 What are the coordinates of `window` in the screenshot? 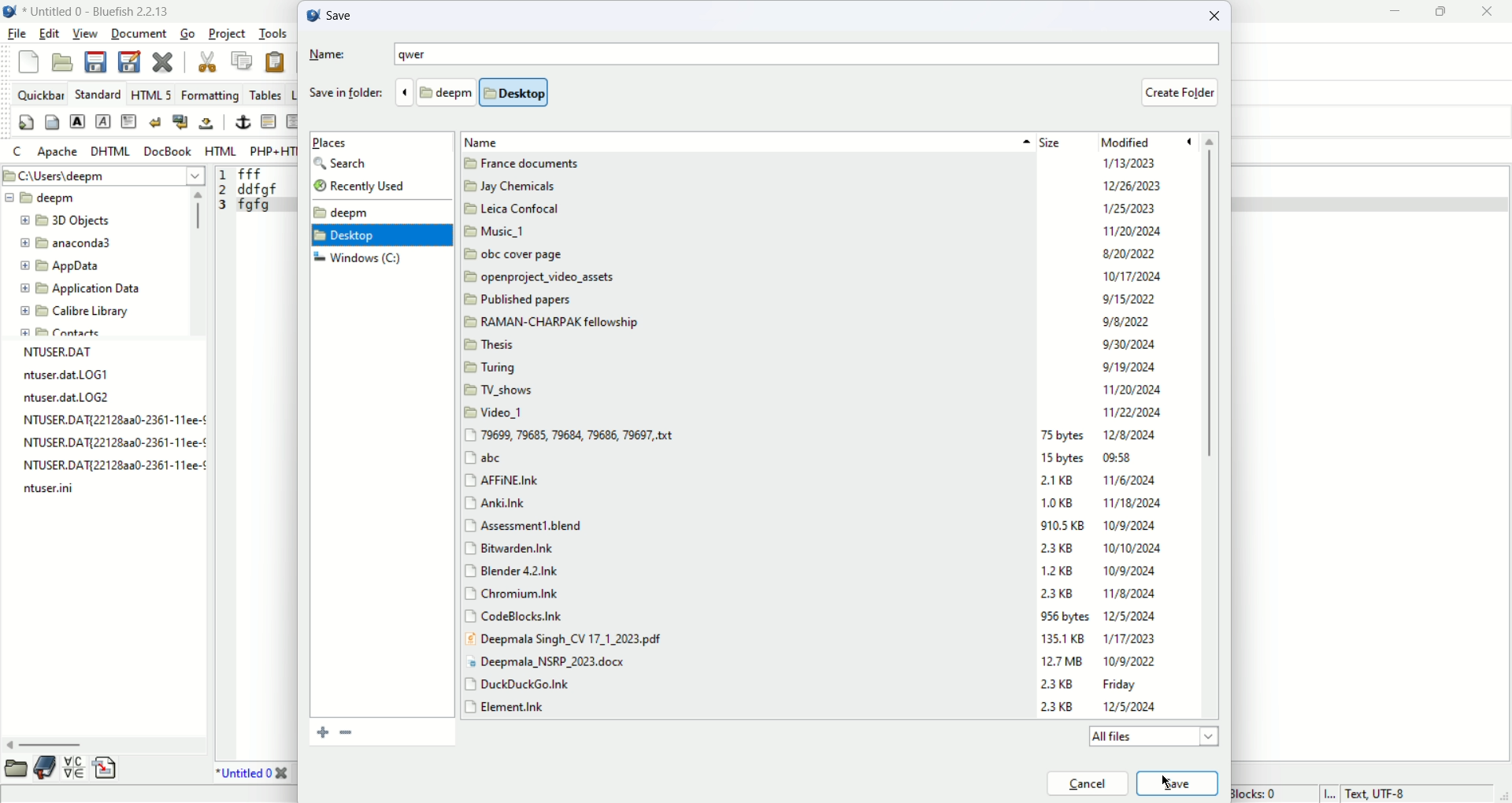 It's located at (360, 259).